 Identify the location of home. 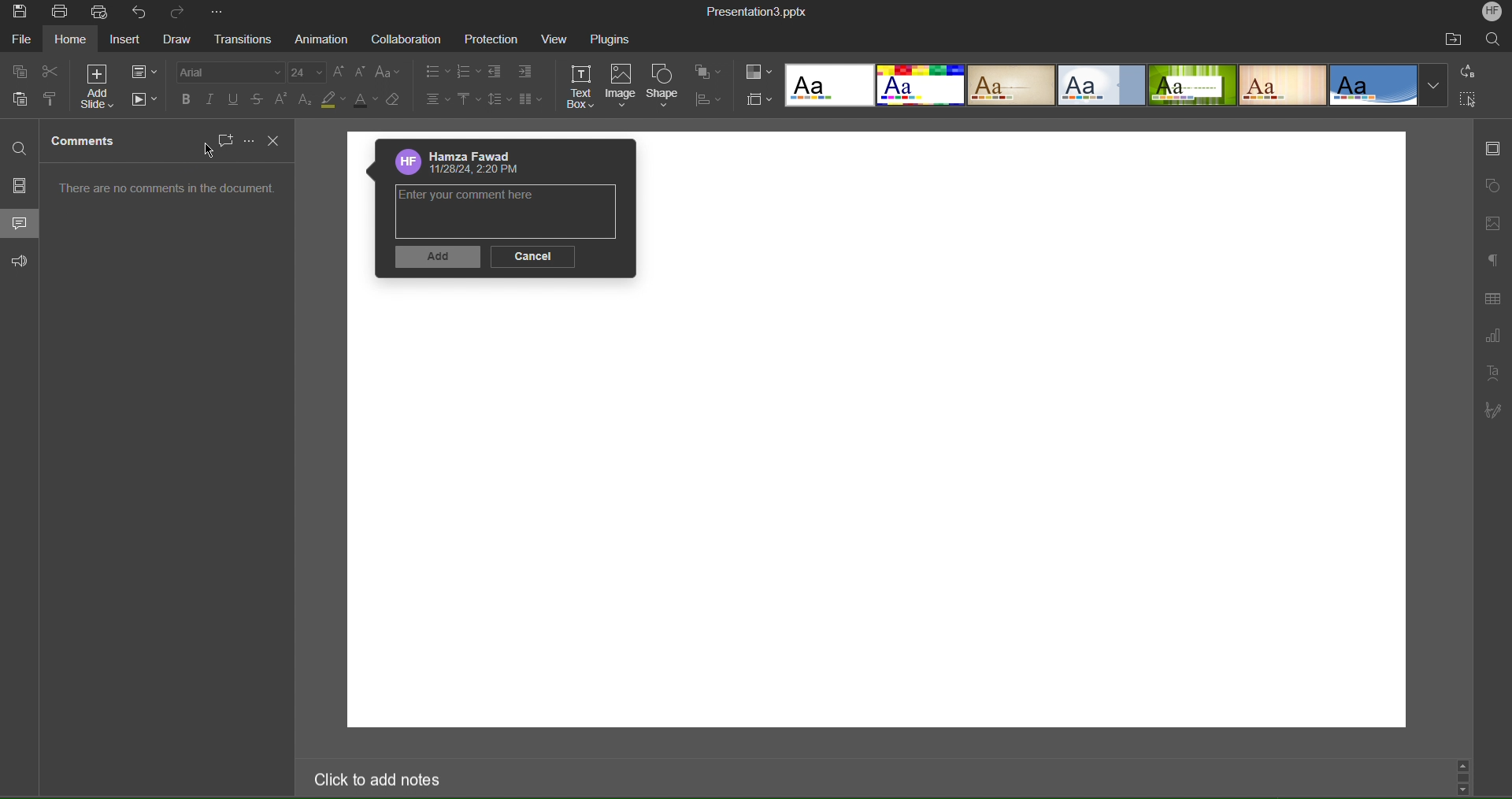
(72, 41).